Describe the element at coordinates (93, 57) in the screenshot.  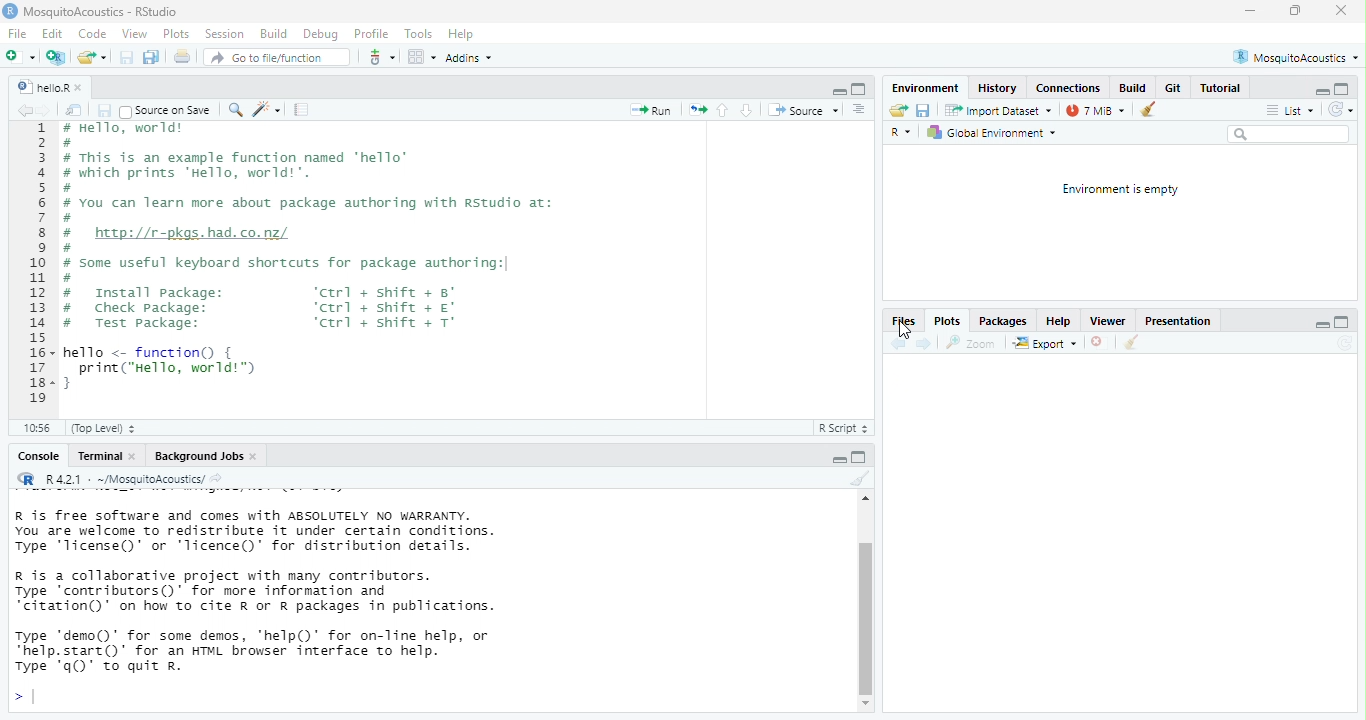
I see `open an existing file` at that location.